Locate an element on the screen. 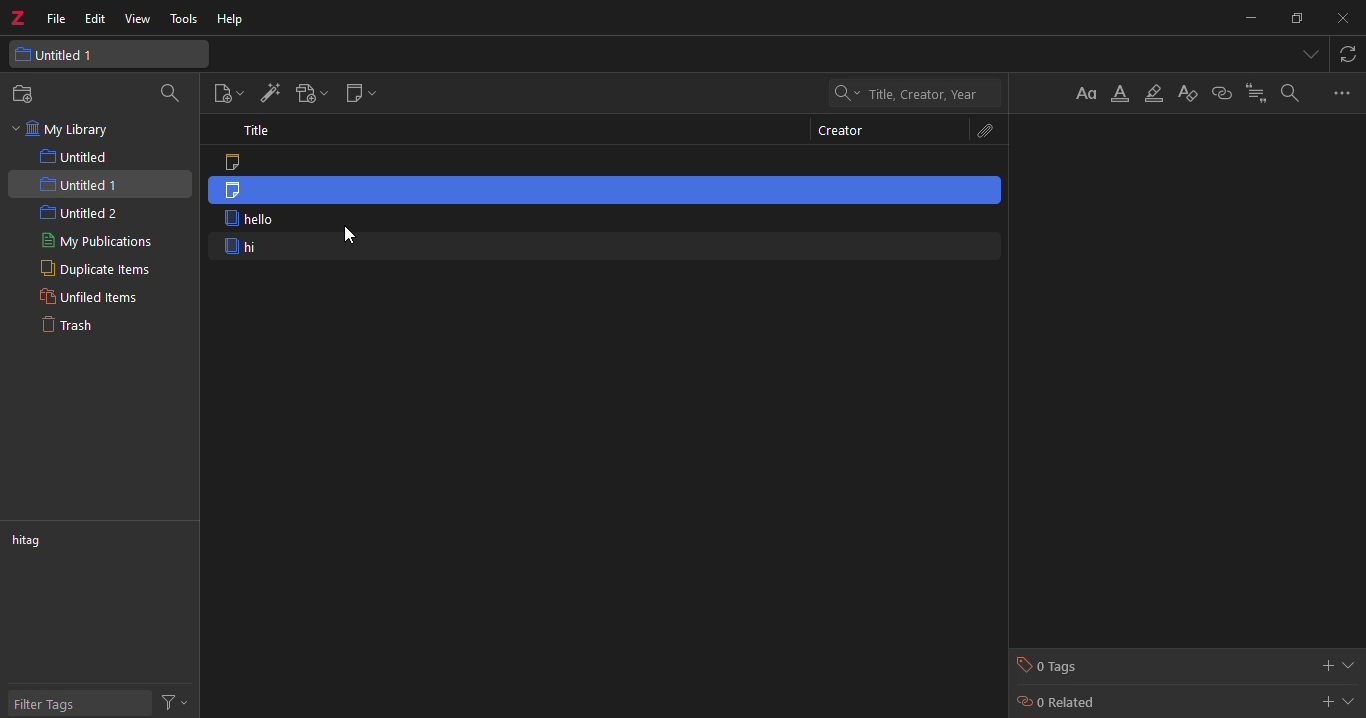 This screenshot has width=1366, height=718. help is located at coordinates (234, 20).